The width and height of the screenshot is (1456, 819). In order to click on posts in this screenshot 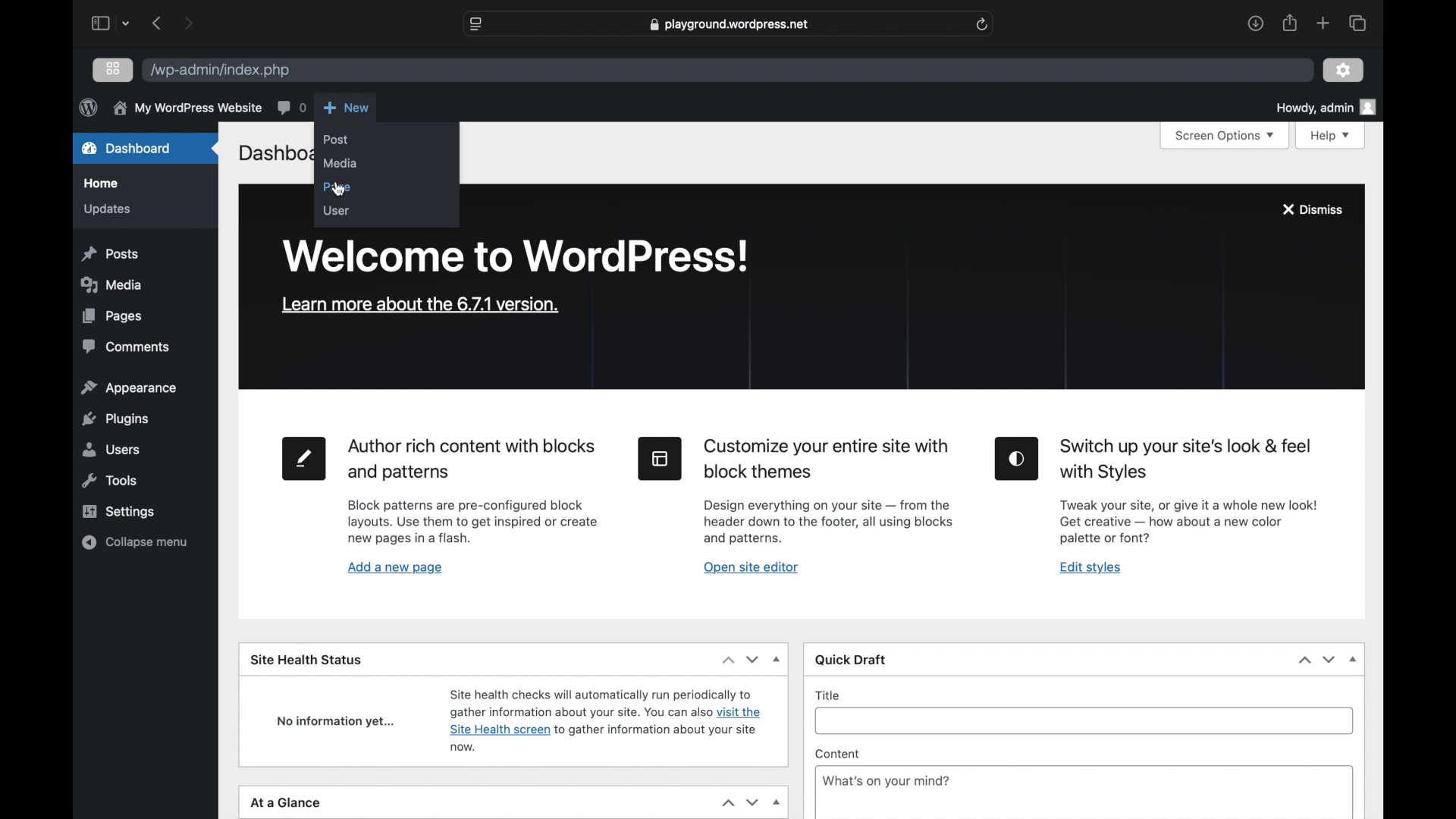, I will do `click(112, 253)`.